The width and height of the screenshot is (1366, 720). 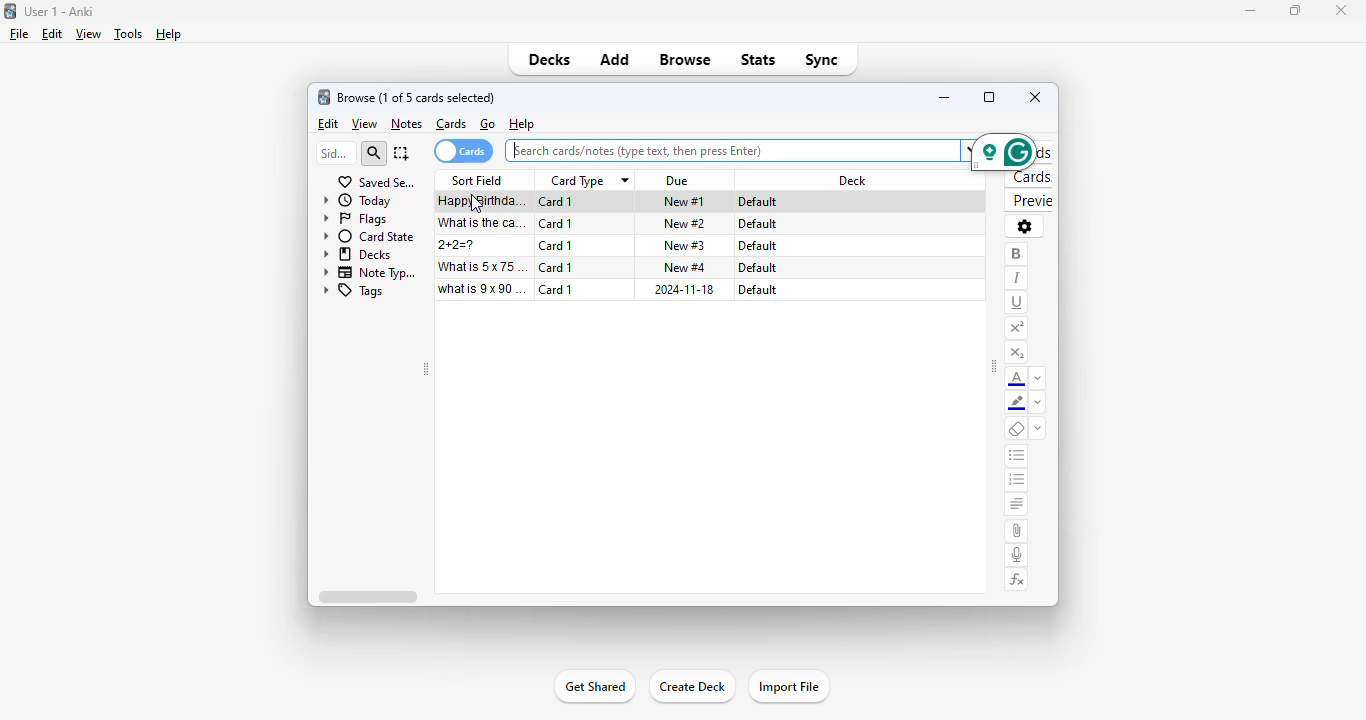 What do you see at coordinates (358, 254) in the screenshot?
I see `decks` at bounding box center [358, 254].